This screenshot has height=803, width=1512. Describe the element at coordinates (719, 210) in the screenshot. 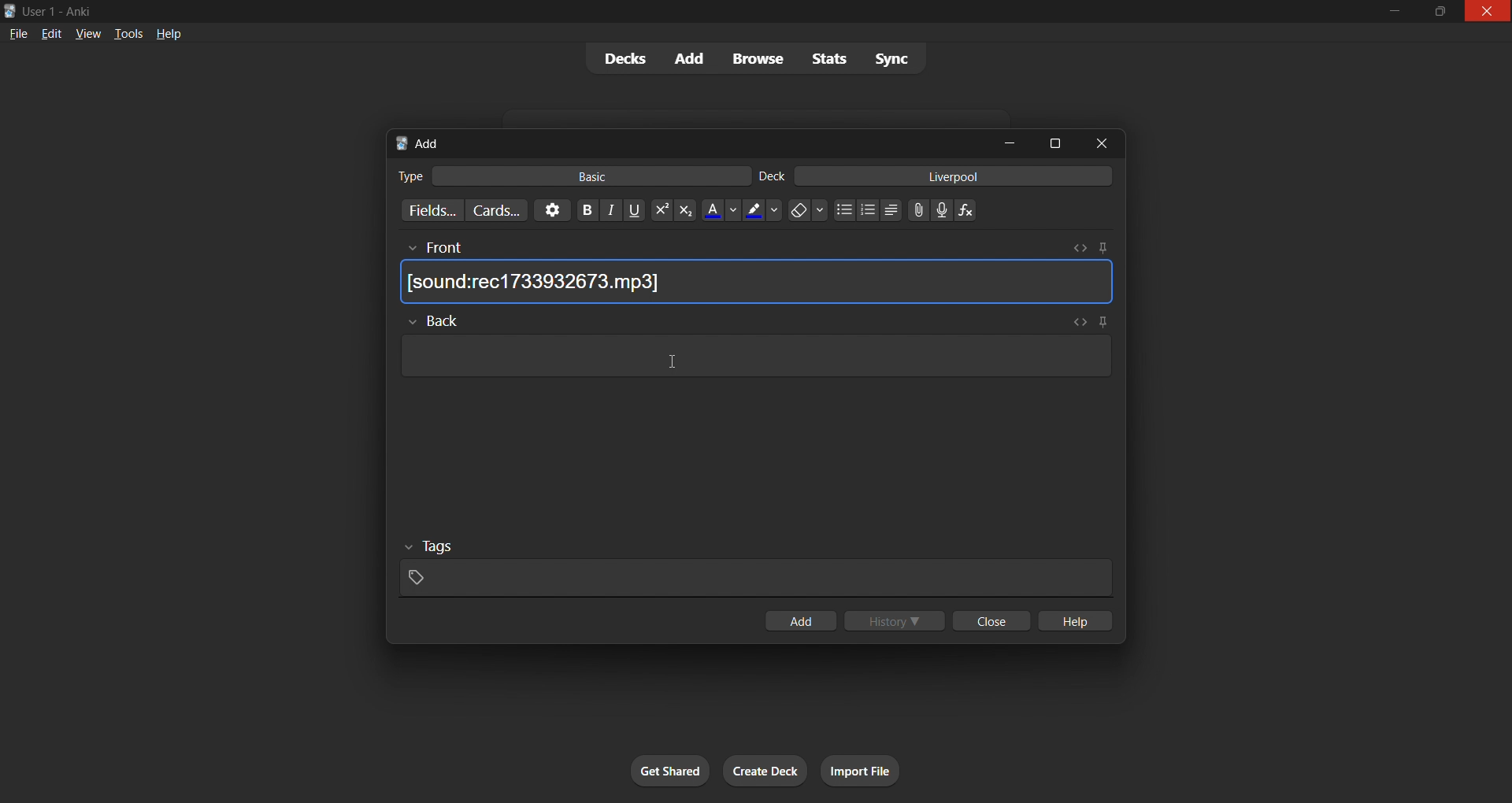

I see `text color` at that location.